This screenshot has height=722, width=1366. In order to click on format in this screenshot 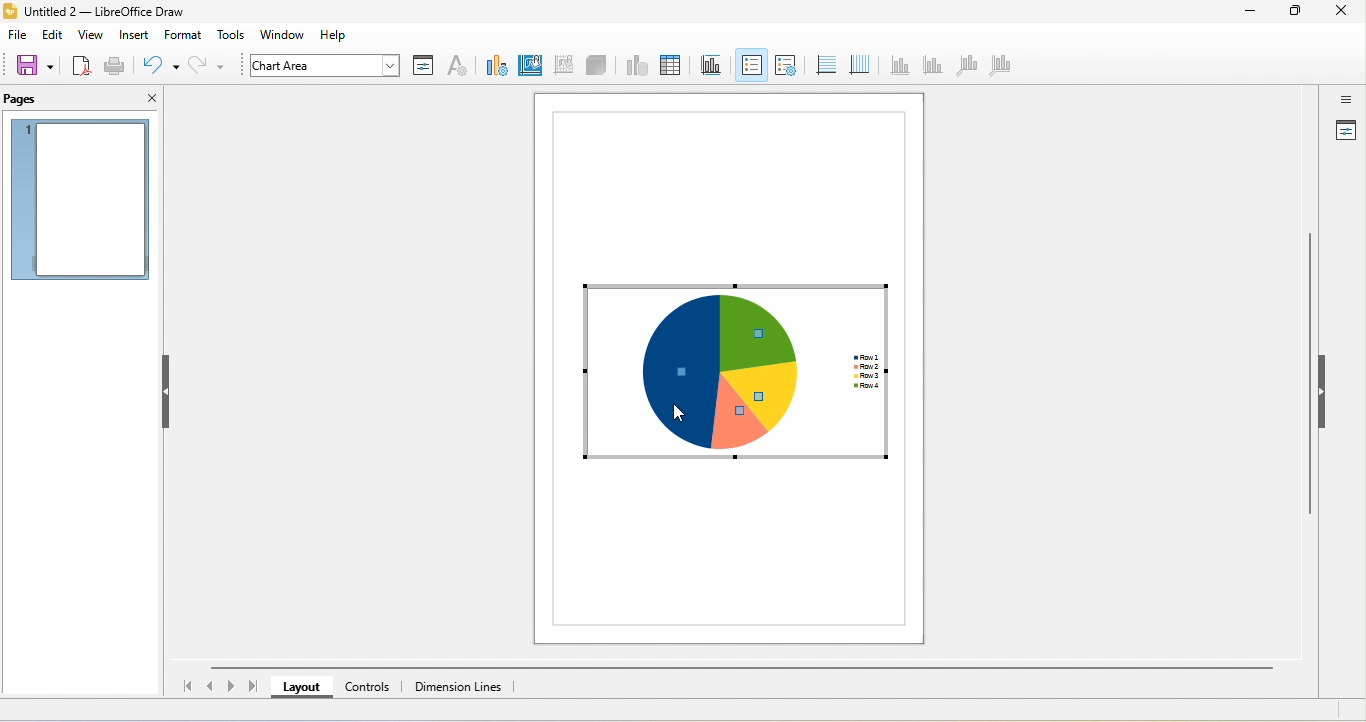, I will do `click(184, 34)`.